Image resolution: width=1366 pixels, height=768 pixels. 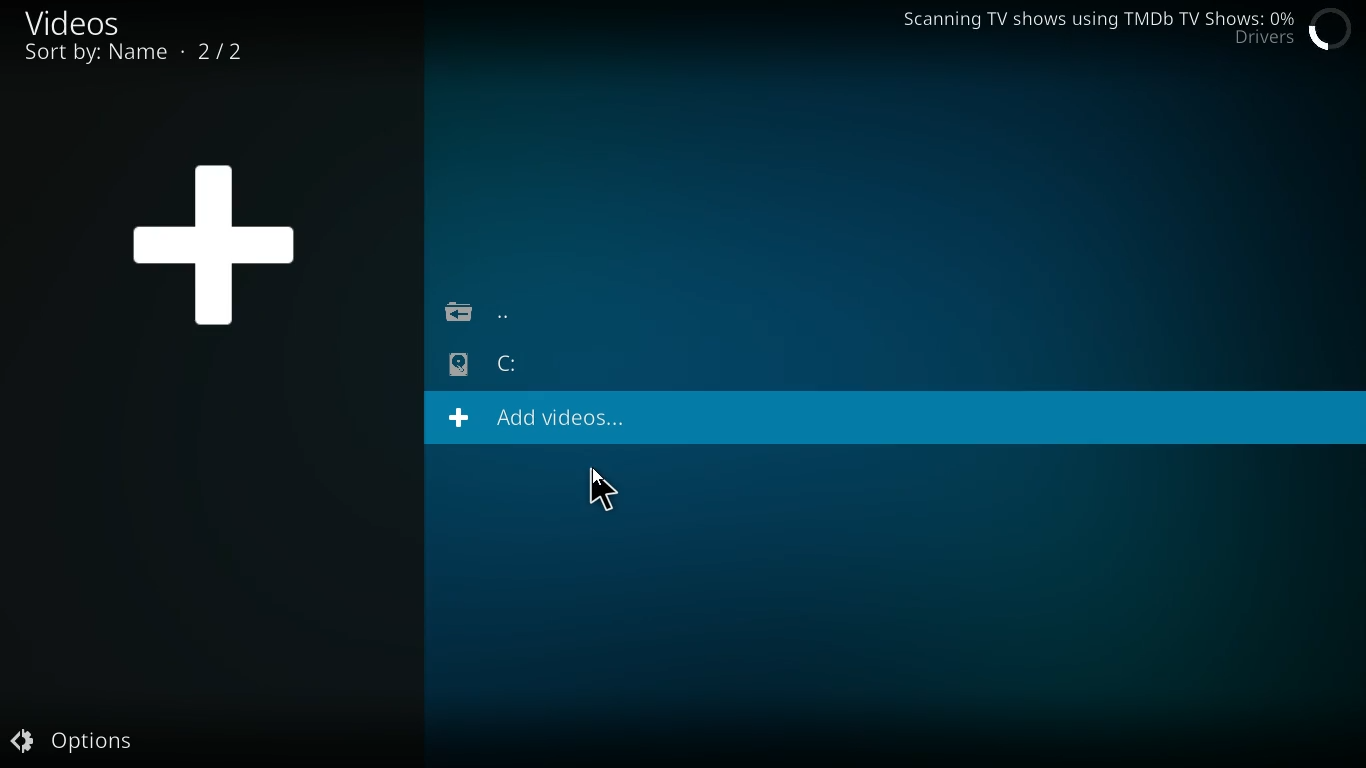 What do you see at coordinates (583, 362) in the screenshot?
I see `C:` at bounding box center [583, 362].